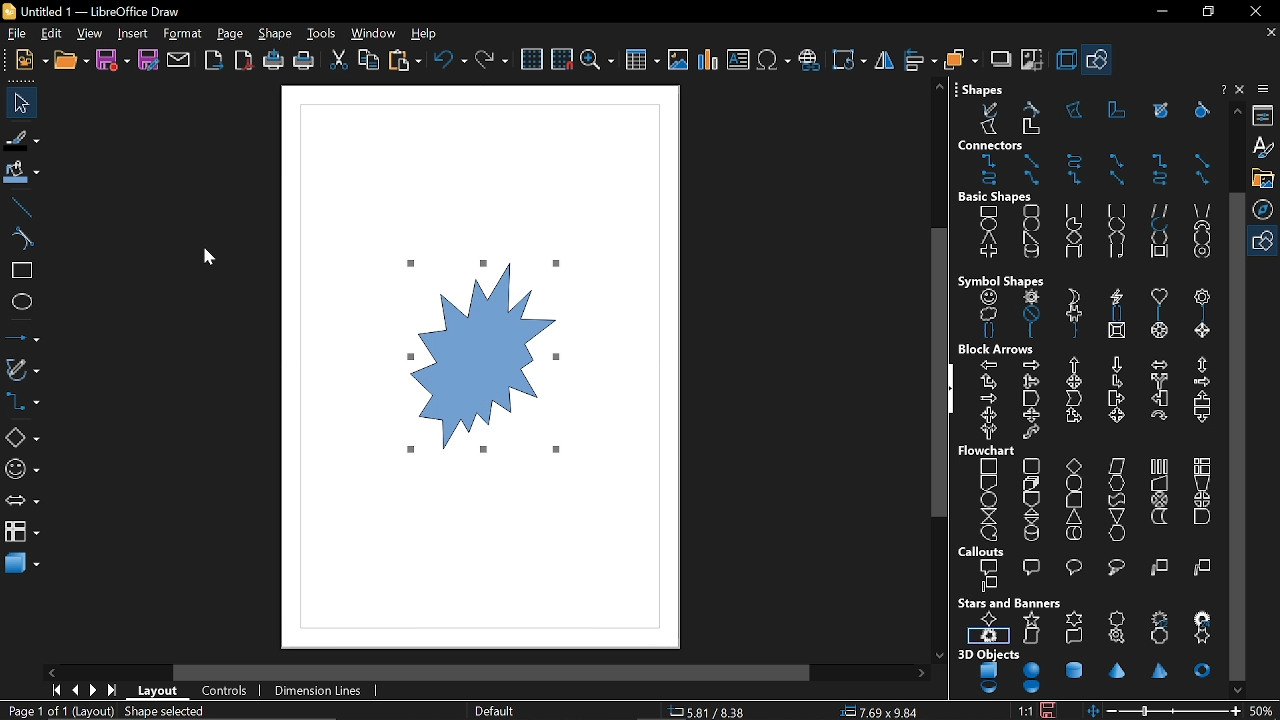 The image size is (1280, 720). I want to click on scaling factor (1:1), so click(1026, 710).